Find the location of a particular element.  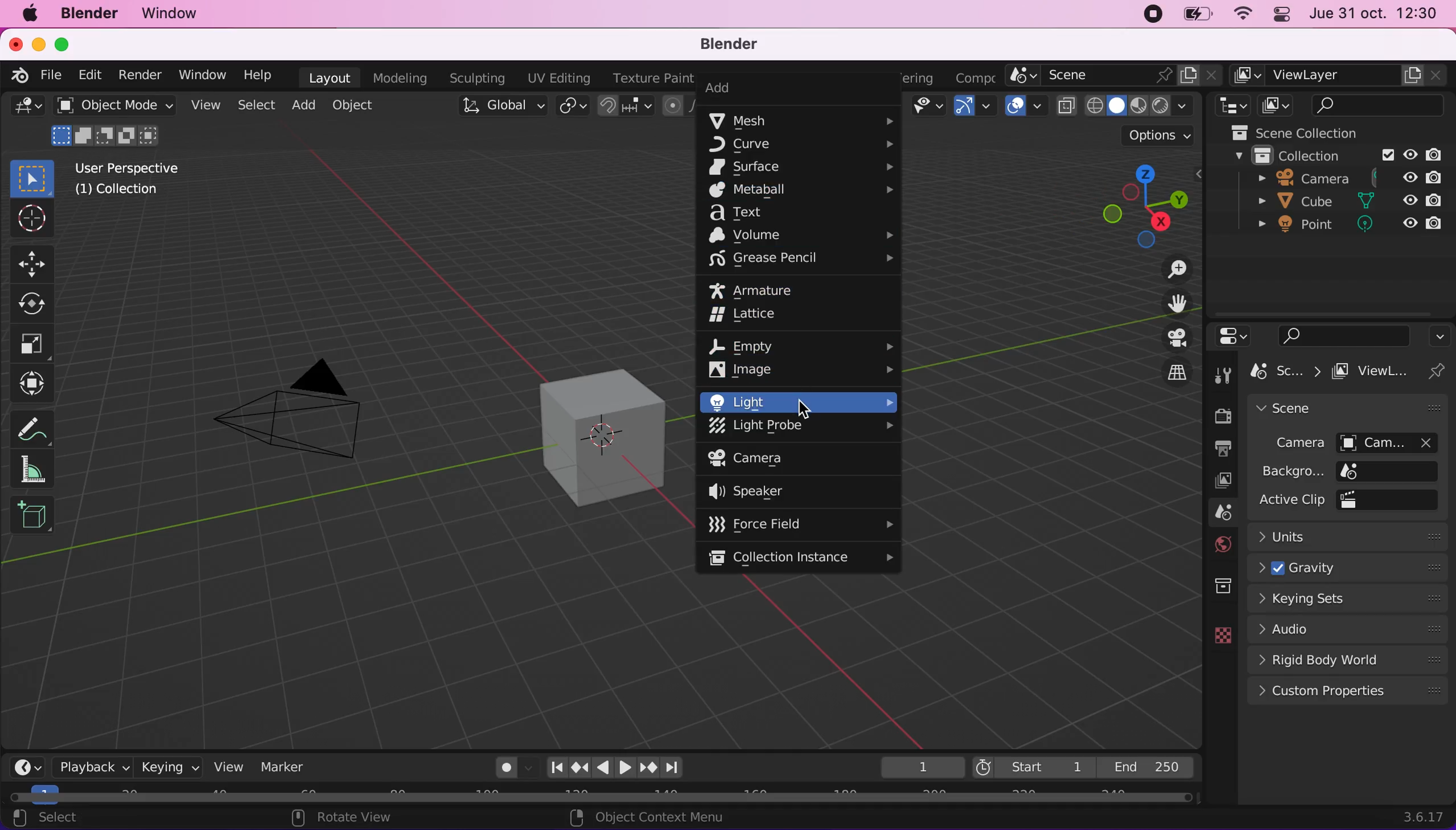

cube is located at coordinates (586, 434).